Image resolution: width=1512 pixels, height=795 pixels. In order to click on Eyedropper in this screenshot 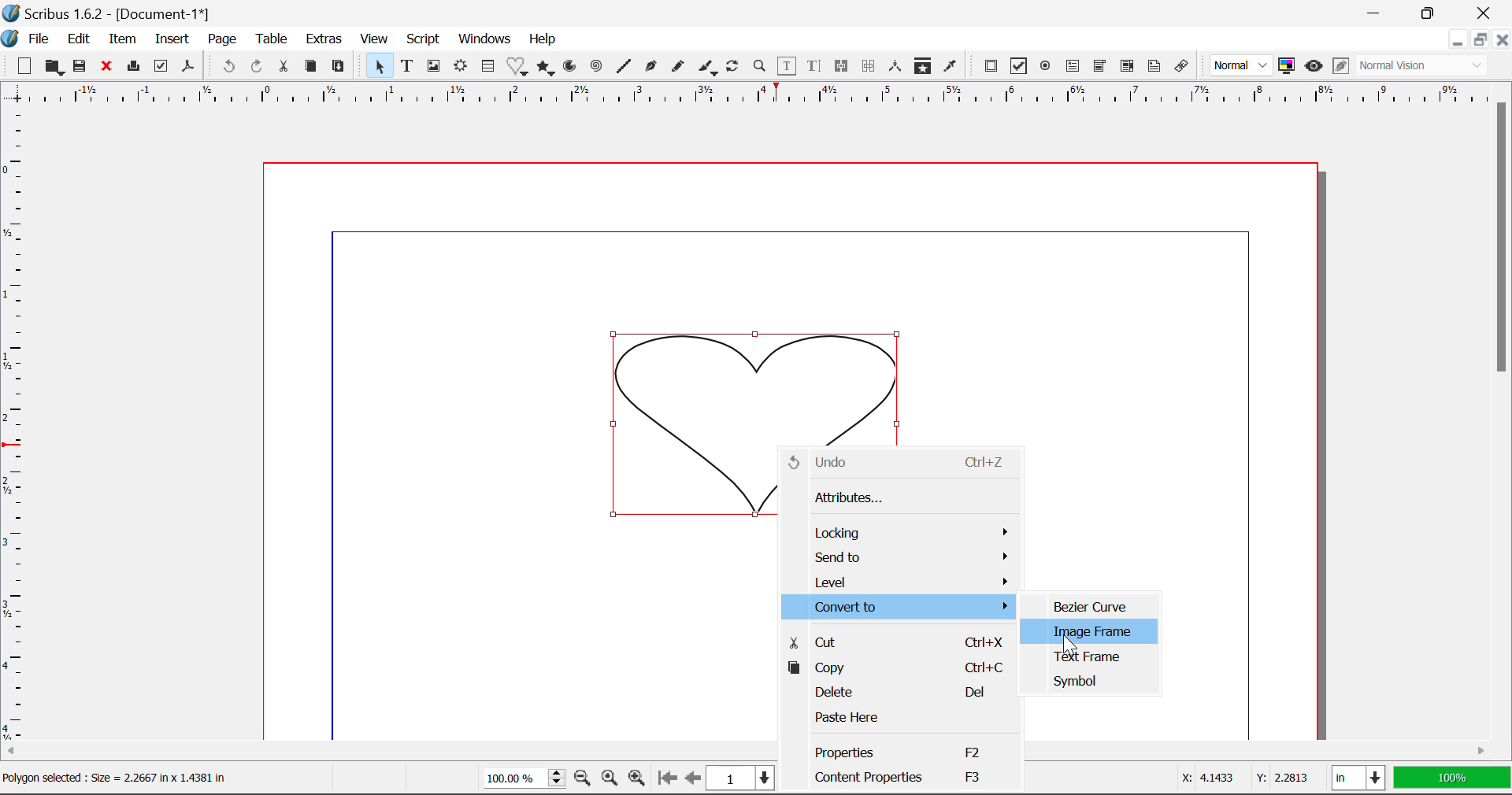, I will do `click(951, 66)`.